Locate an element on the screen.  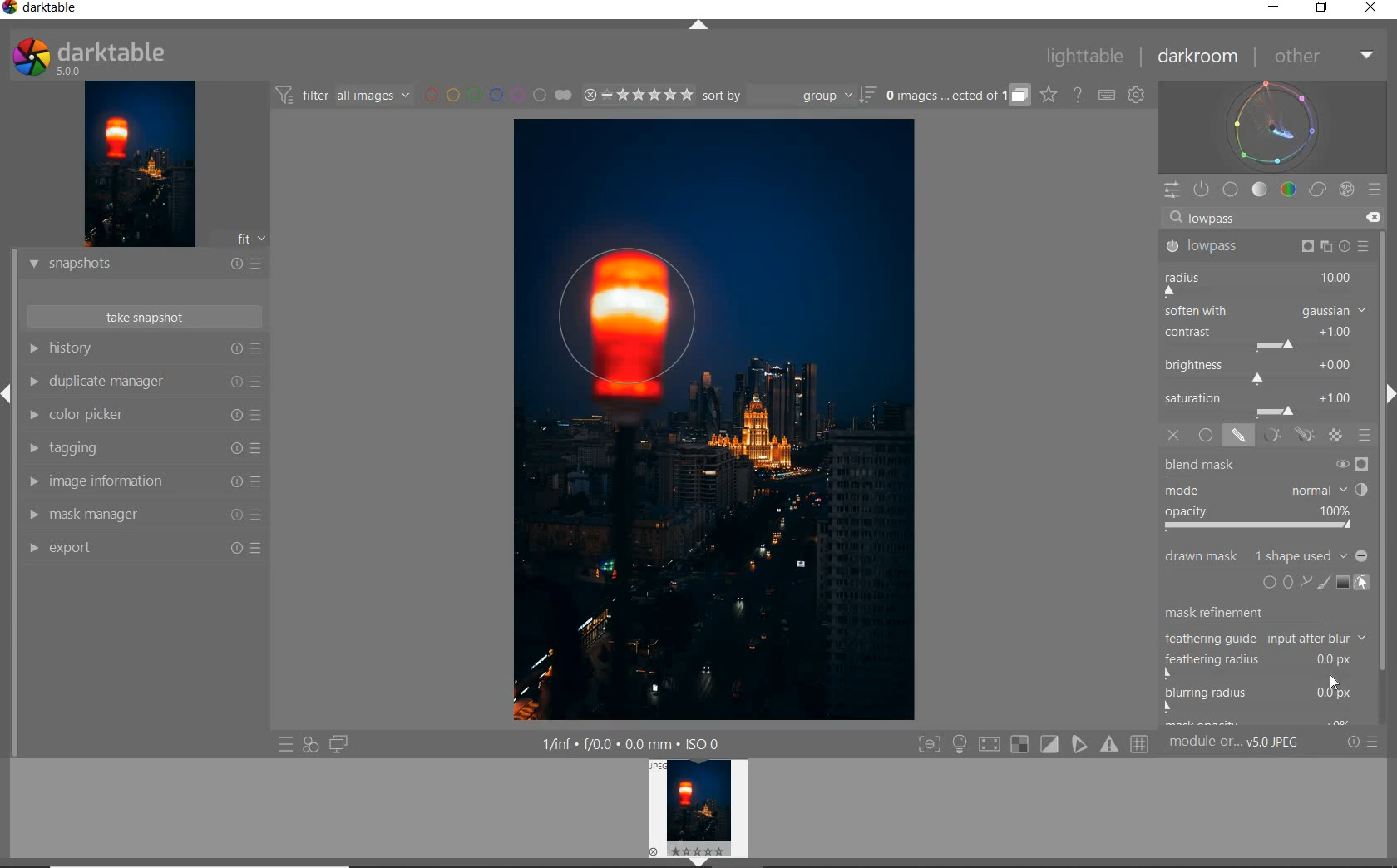
COLOR PICKER is located at coordinates (146, 416).